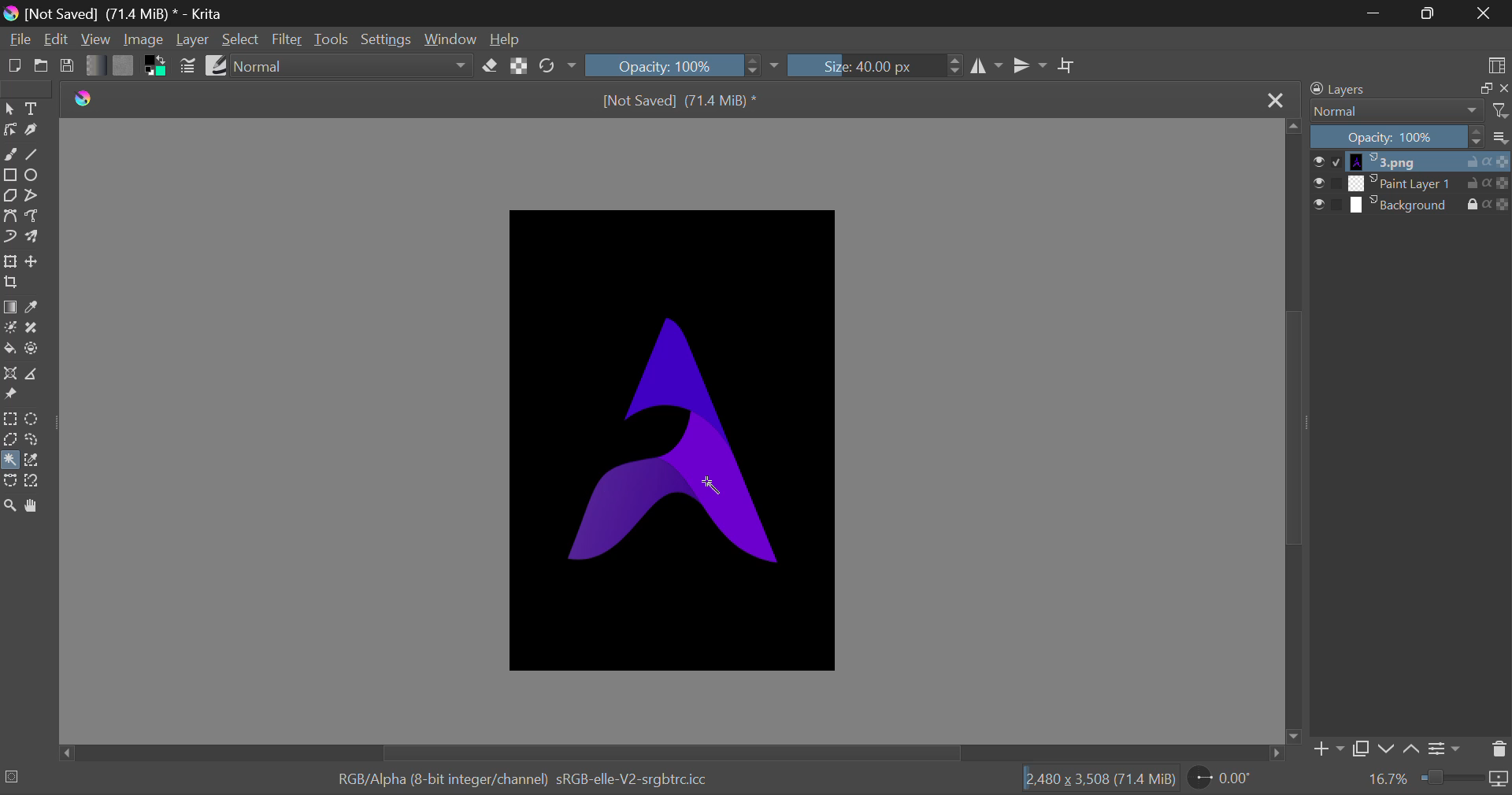 This screenshot has width=1512, height=795. I want to click on layer 3, so click(1401, 203).